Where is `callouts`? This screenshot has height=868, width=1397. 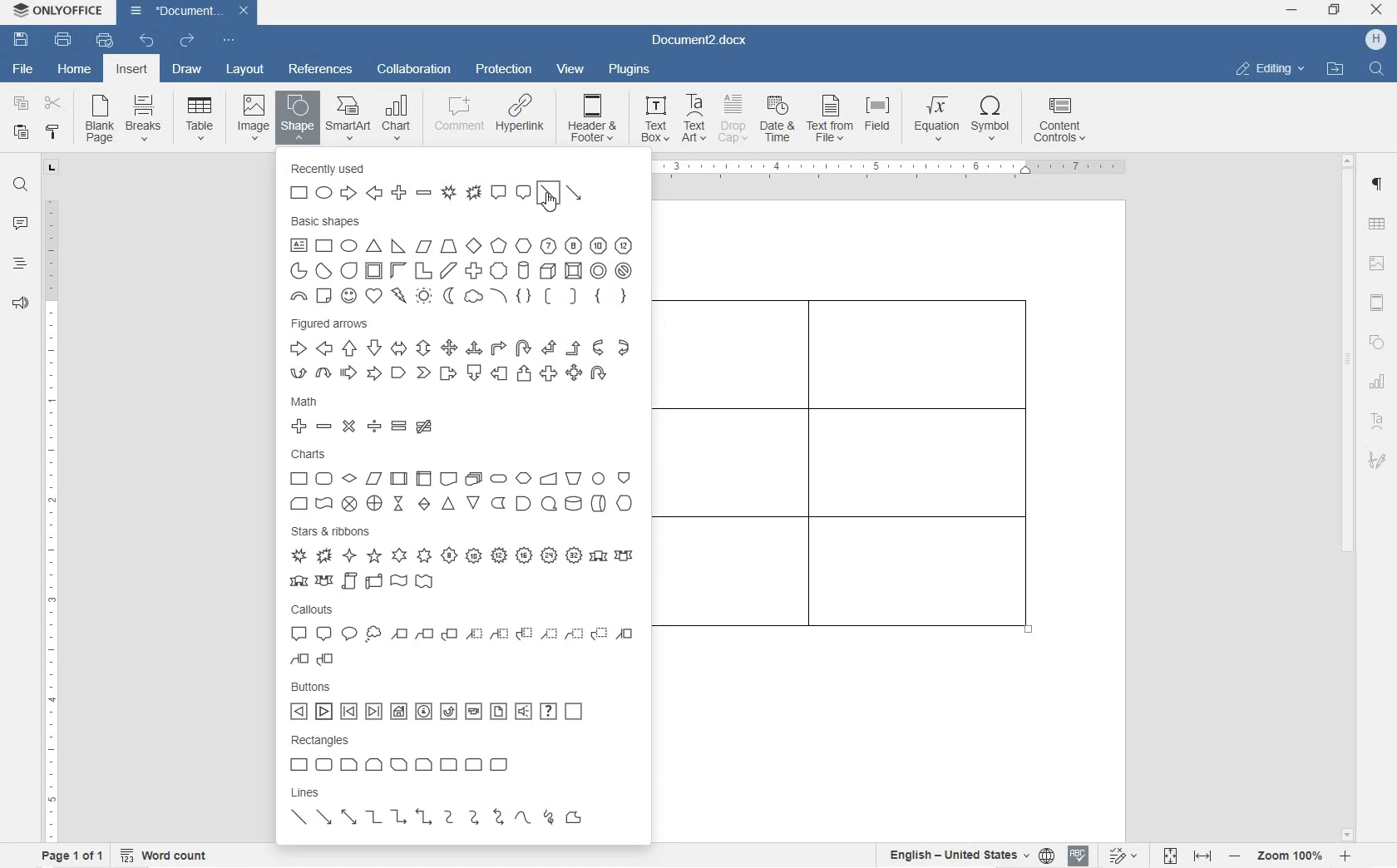
callouts is located at coordinates (461, 636).